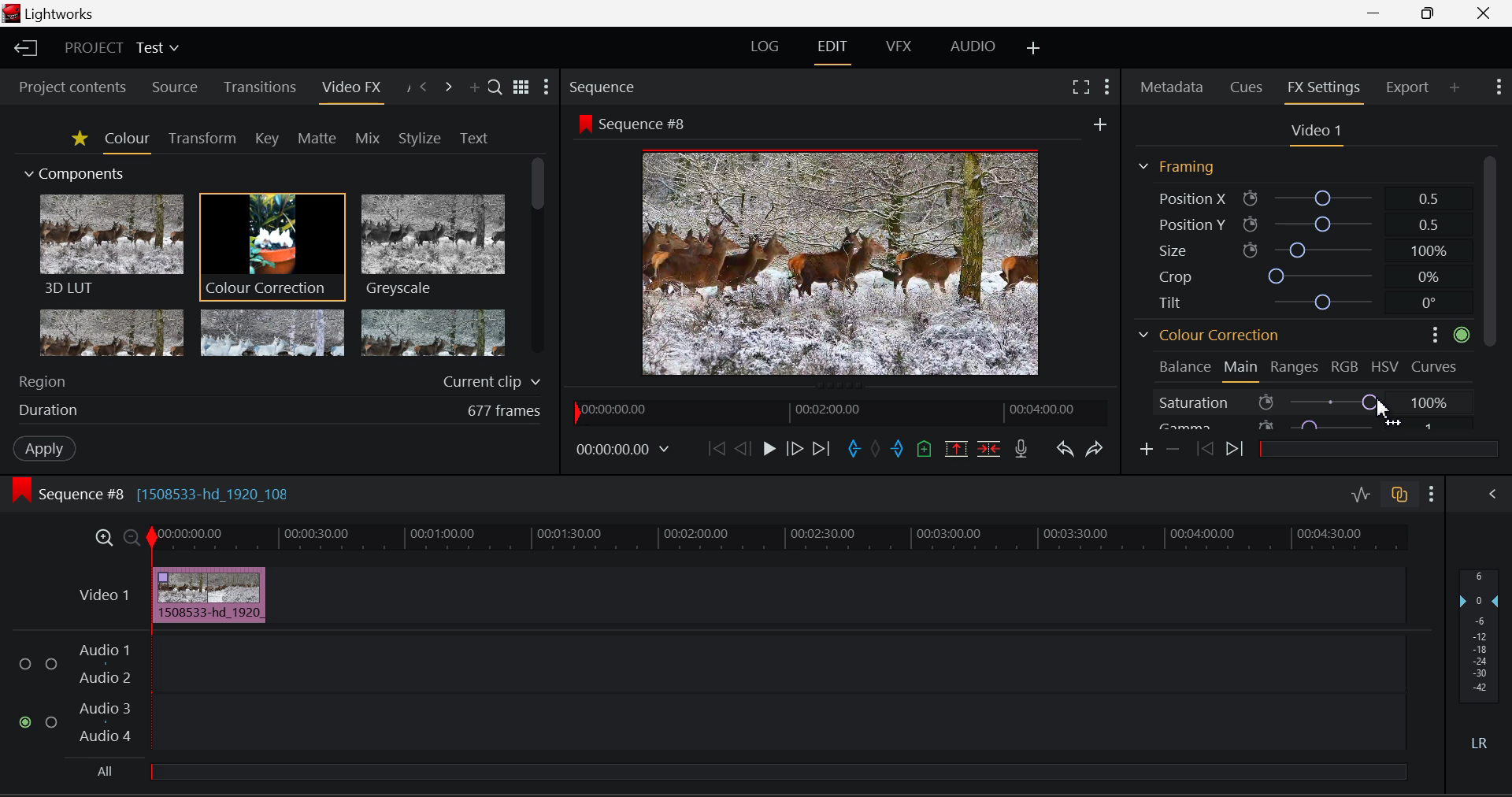 The image size is (1512, 797). What do you see at coordinates (148, 493) in the screenshot?
I see `Sequence #8 Editing Section` at bounding box center [148, 493].